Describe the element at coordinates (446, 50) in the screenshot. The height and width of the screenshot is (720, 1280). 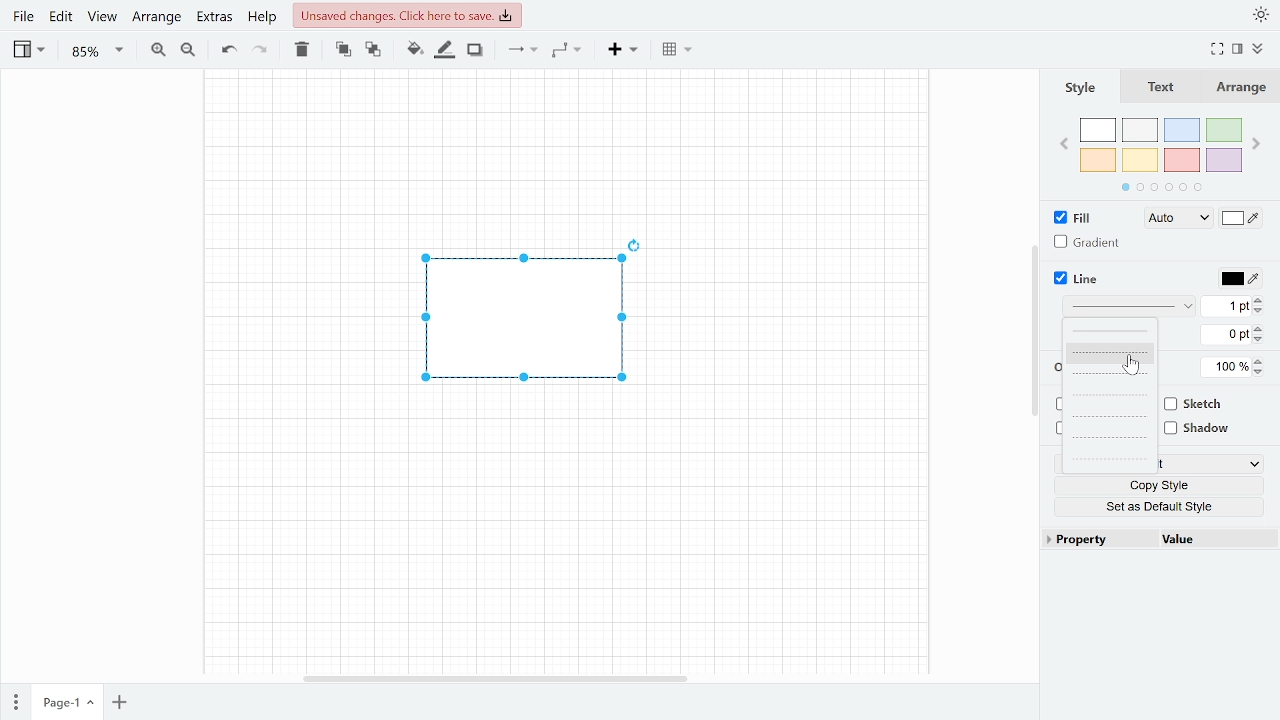
I see `Fill line` at that location.